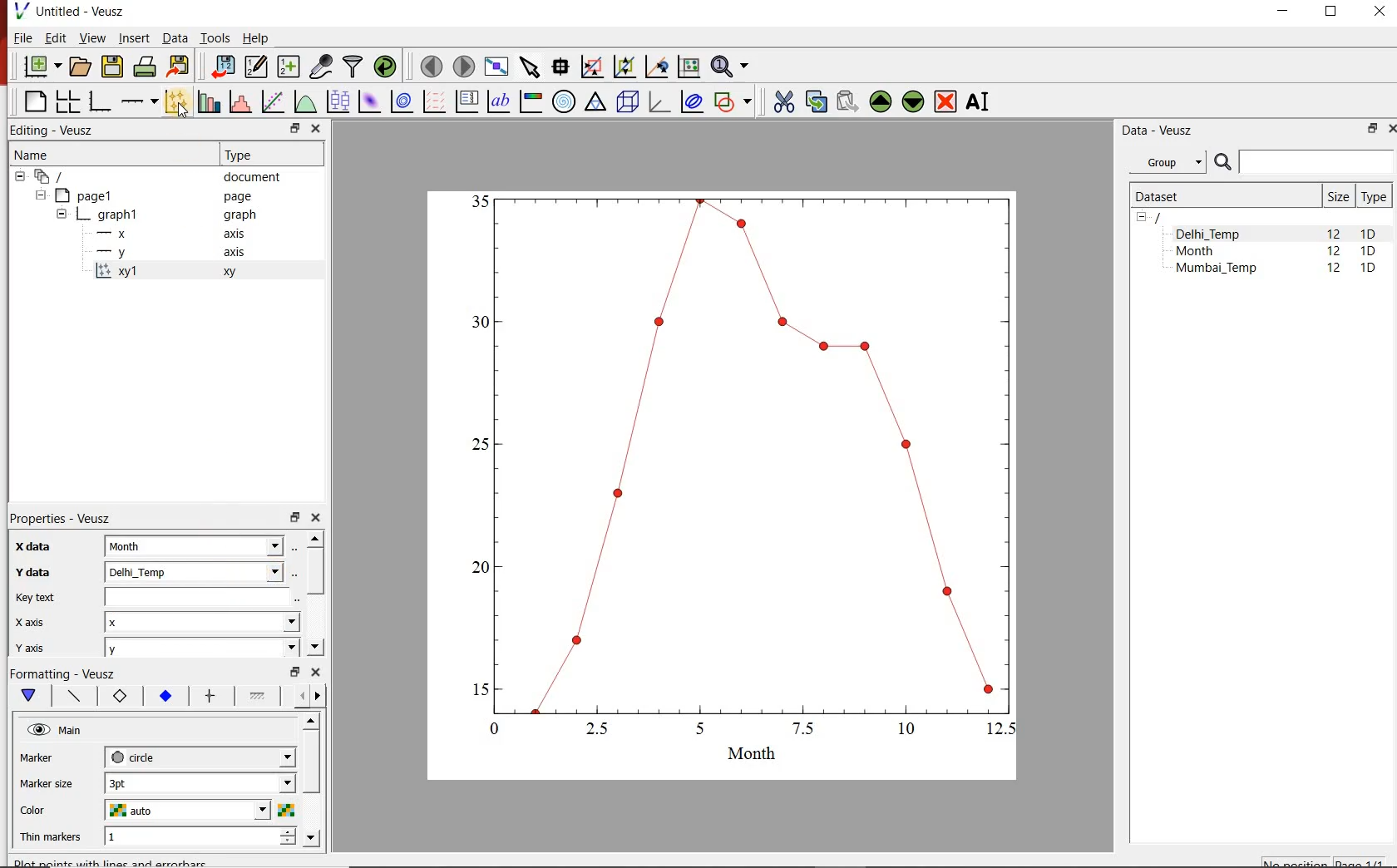 Image resolution: width=1397 pixels, height=868 pixels. What do you see at coordinates (289, 67) in the screenshot?
I see `create new datasets using available options` at bounding box center [289, 67].